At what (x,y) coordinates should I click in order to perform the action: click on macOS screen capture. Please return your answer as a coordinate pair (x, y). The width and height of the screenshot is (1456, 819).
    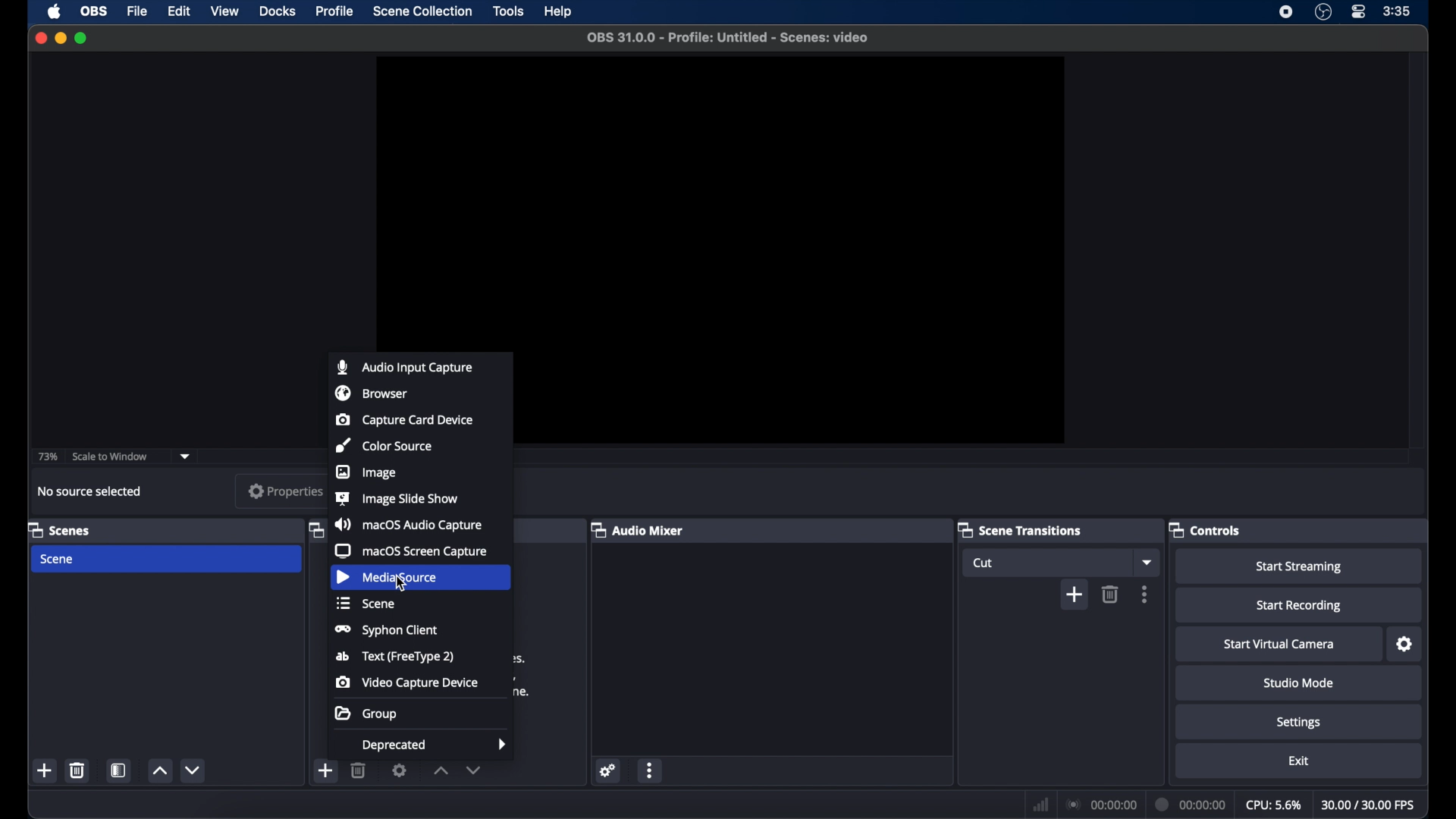
    Looking at the image, I should click on (413, 551).